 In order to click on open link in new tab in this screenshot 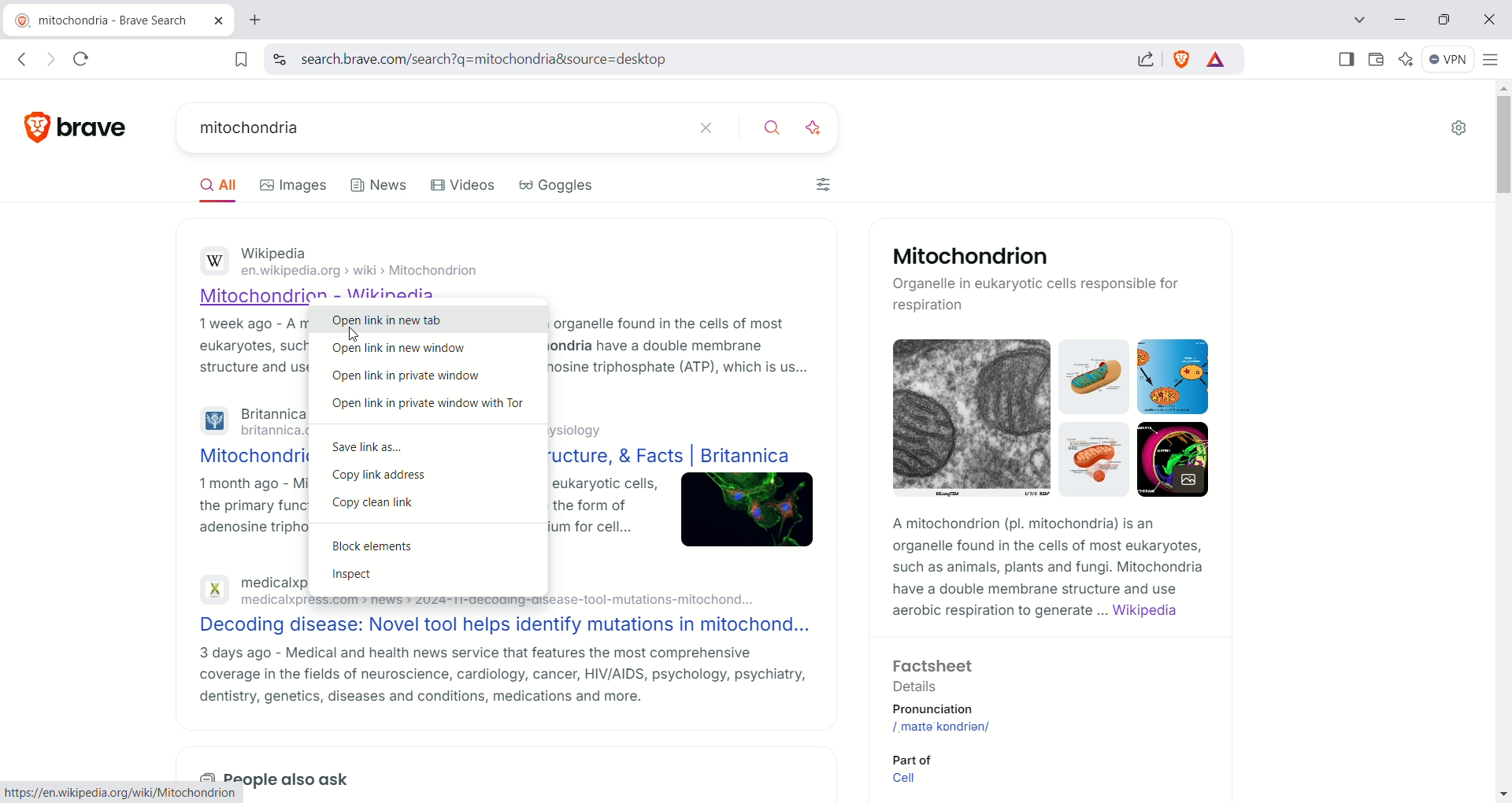, I will do `click(426, 318)`.